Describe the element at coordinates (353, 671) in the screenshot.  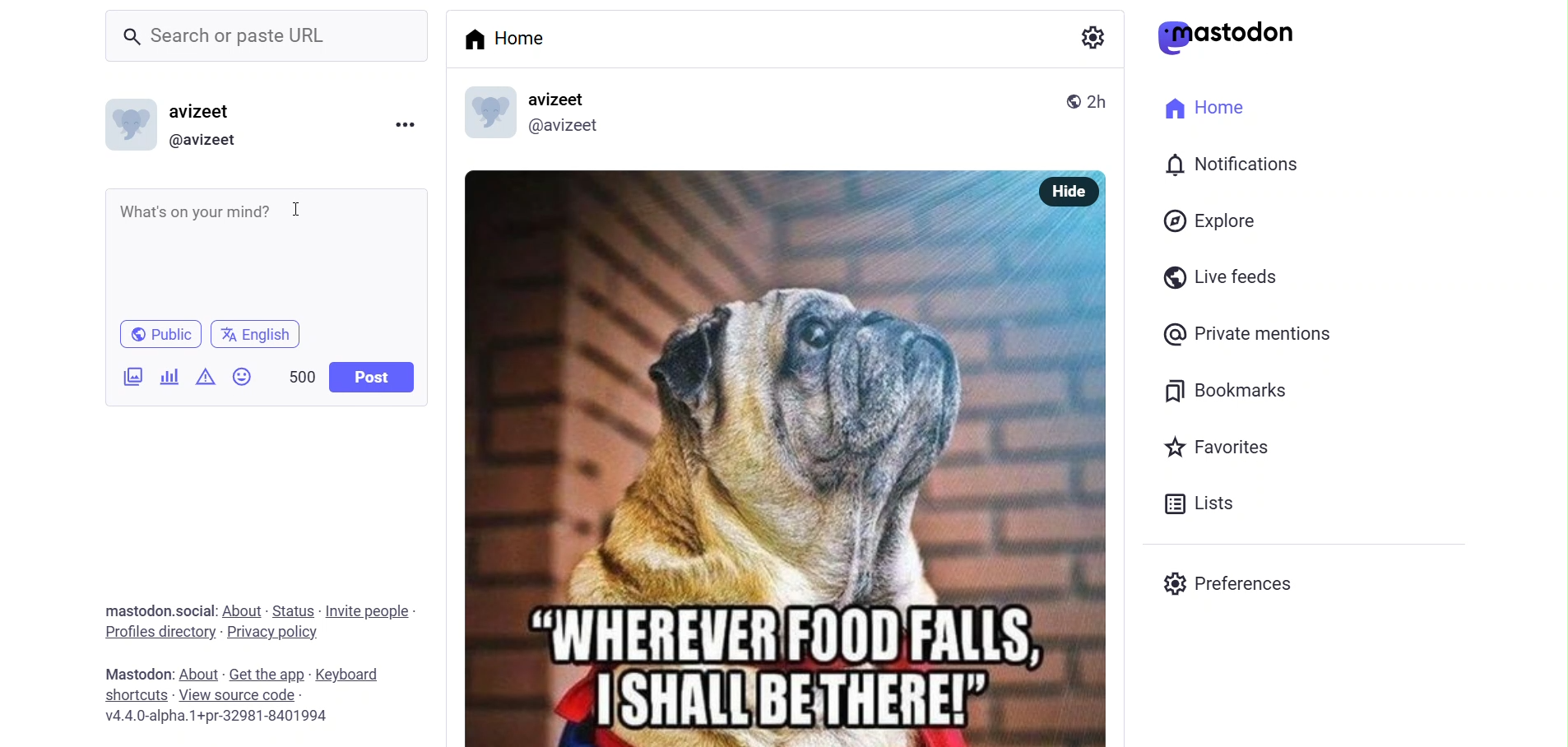
I see `keybard` at that location.